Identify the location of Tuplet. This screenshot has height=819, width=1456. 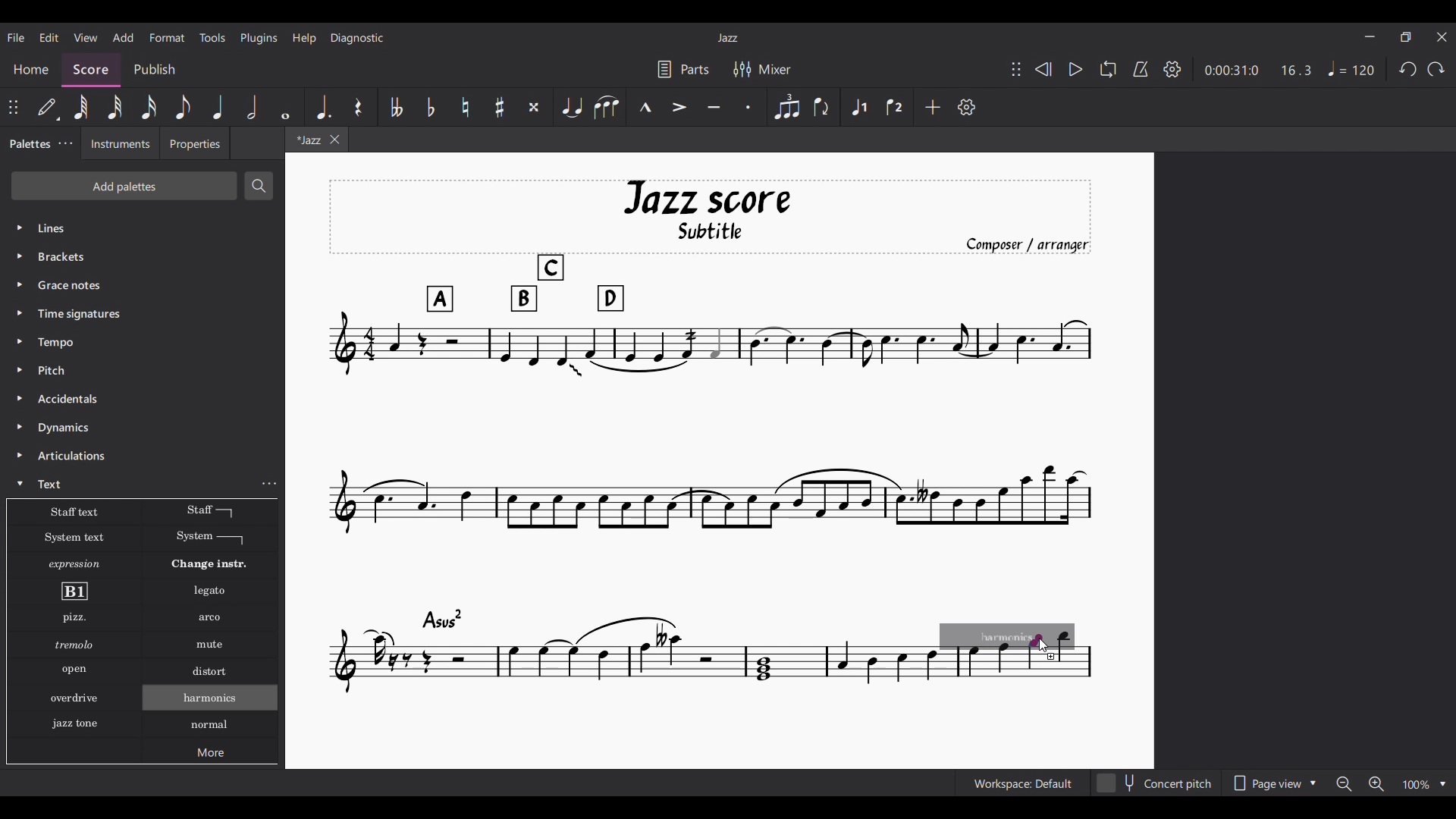
(786, 107).